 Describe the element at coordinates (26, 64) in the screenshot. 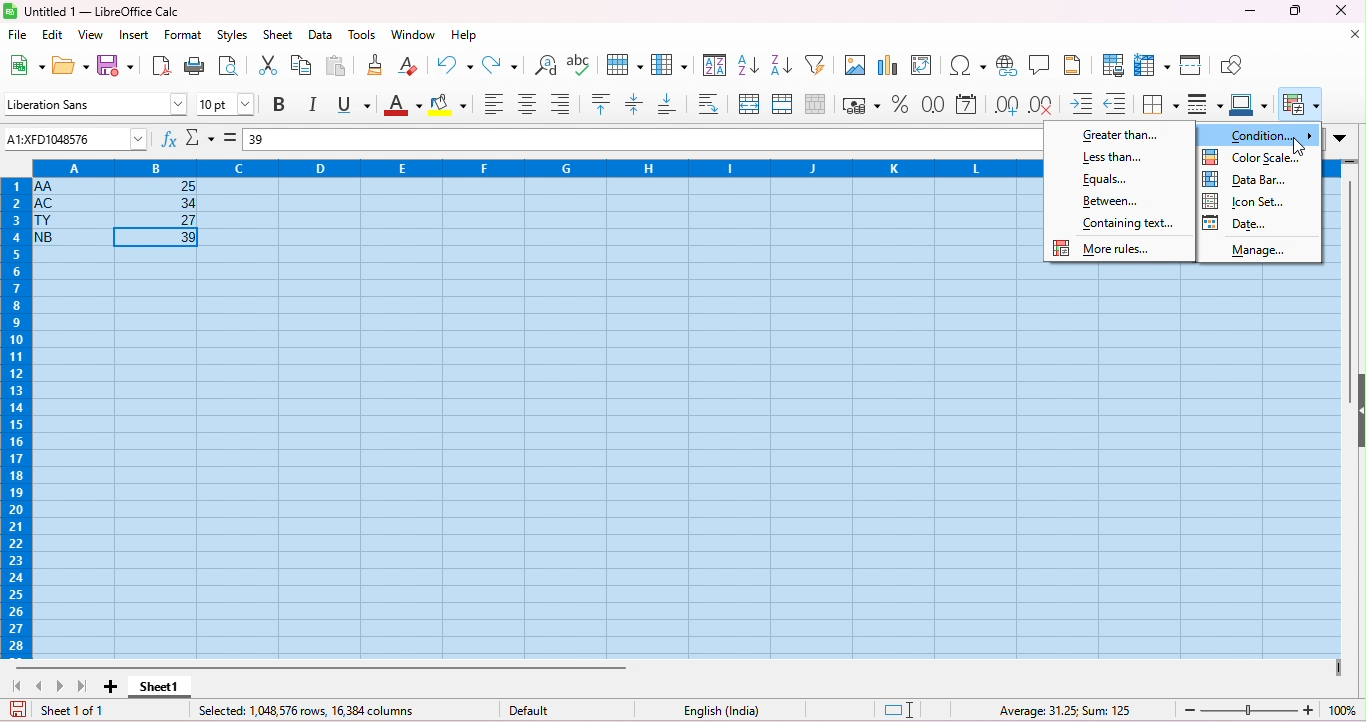

I see `new` at that location.